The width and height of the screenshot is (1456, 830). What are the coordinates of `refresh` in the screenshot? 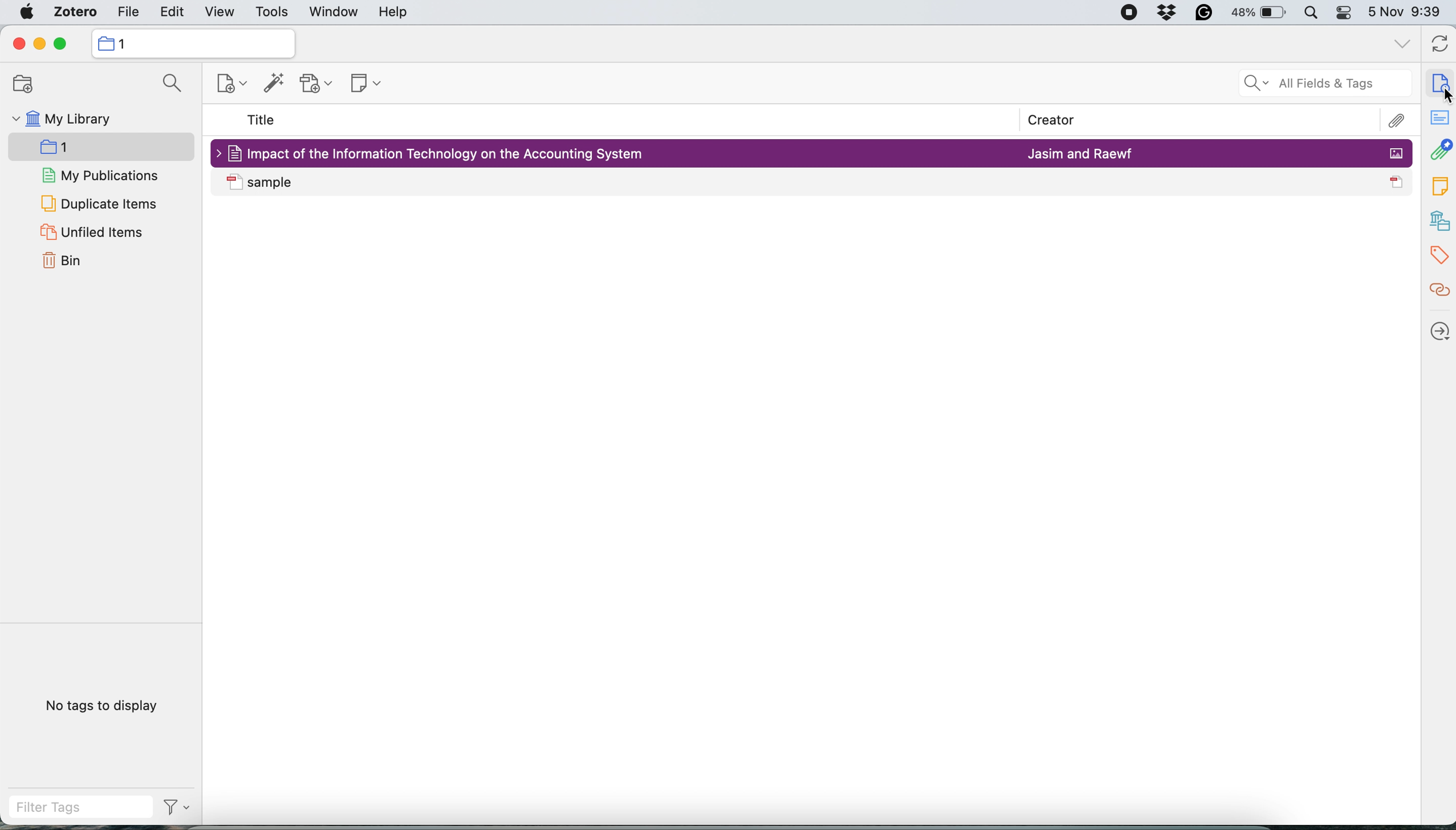 It's located at (1442, 43).